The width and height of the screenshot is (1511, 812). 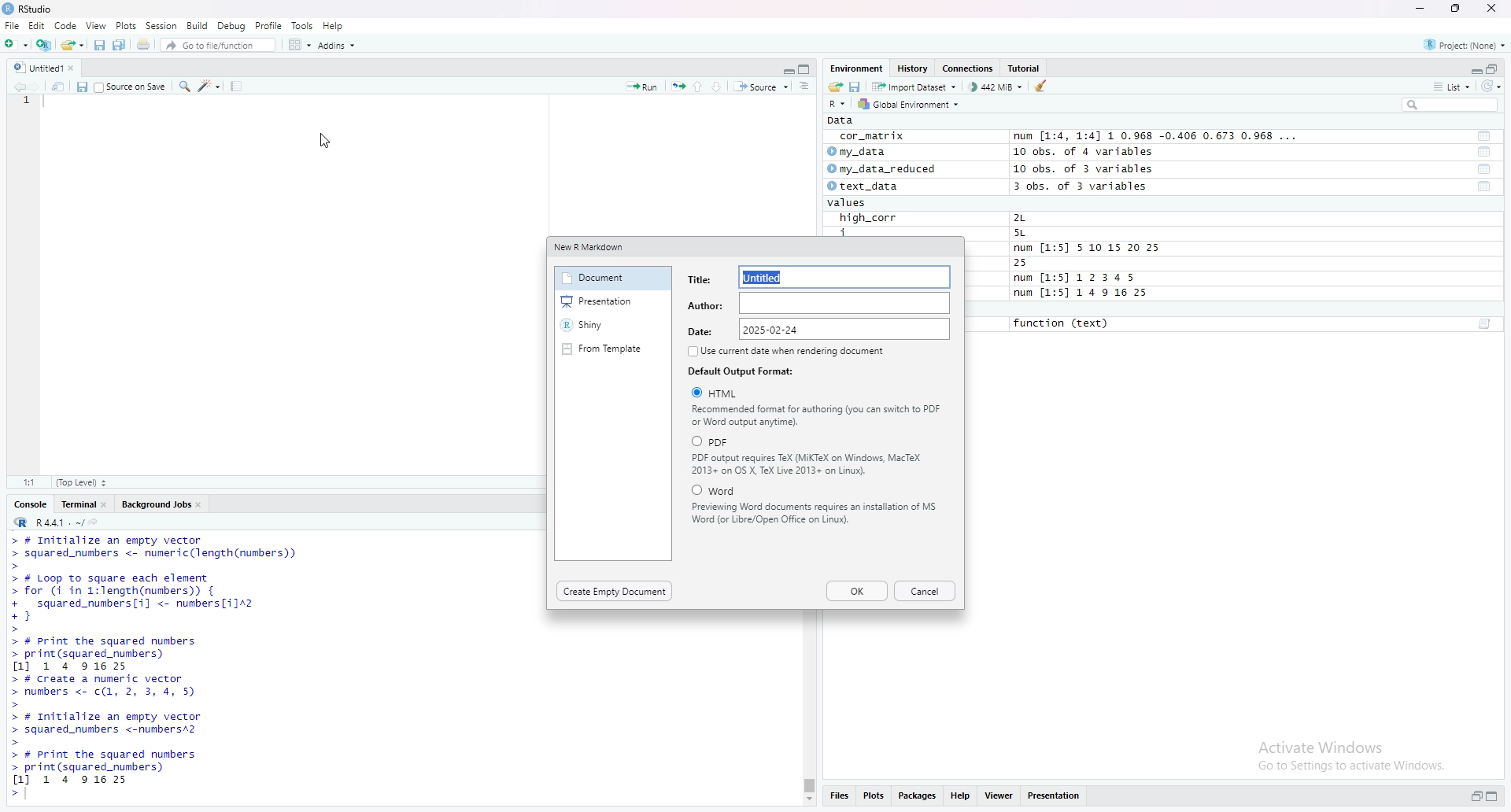 What do you see at coordinates (702, 86) in the screenshot?
I see `Up` at bounding box center [702, 86].